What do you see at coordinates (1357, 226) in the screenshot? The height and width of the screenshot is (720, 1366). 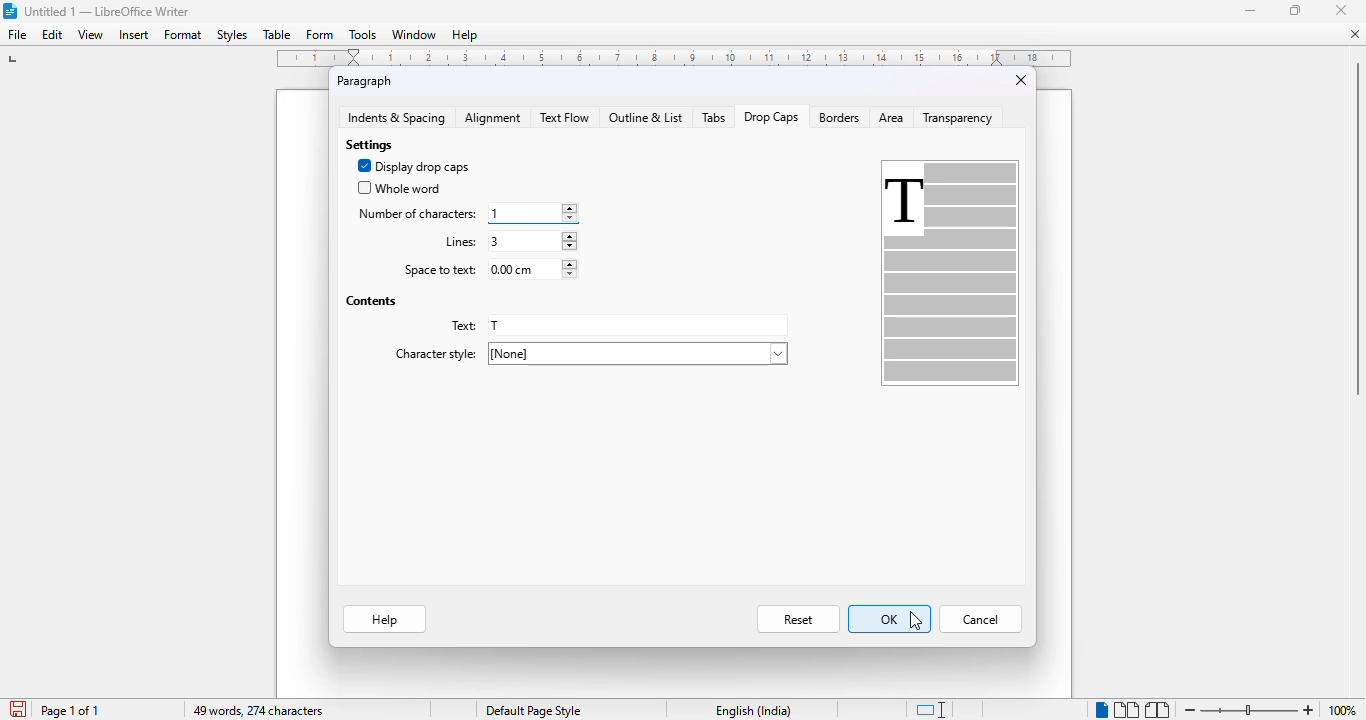 I see `vertical scroll bar` at bounding box center [1357, 226].